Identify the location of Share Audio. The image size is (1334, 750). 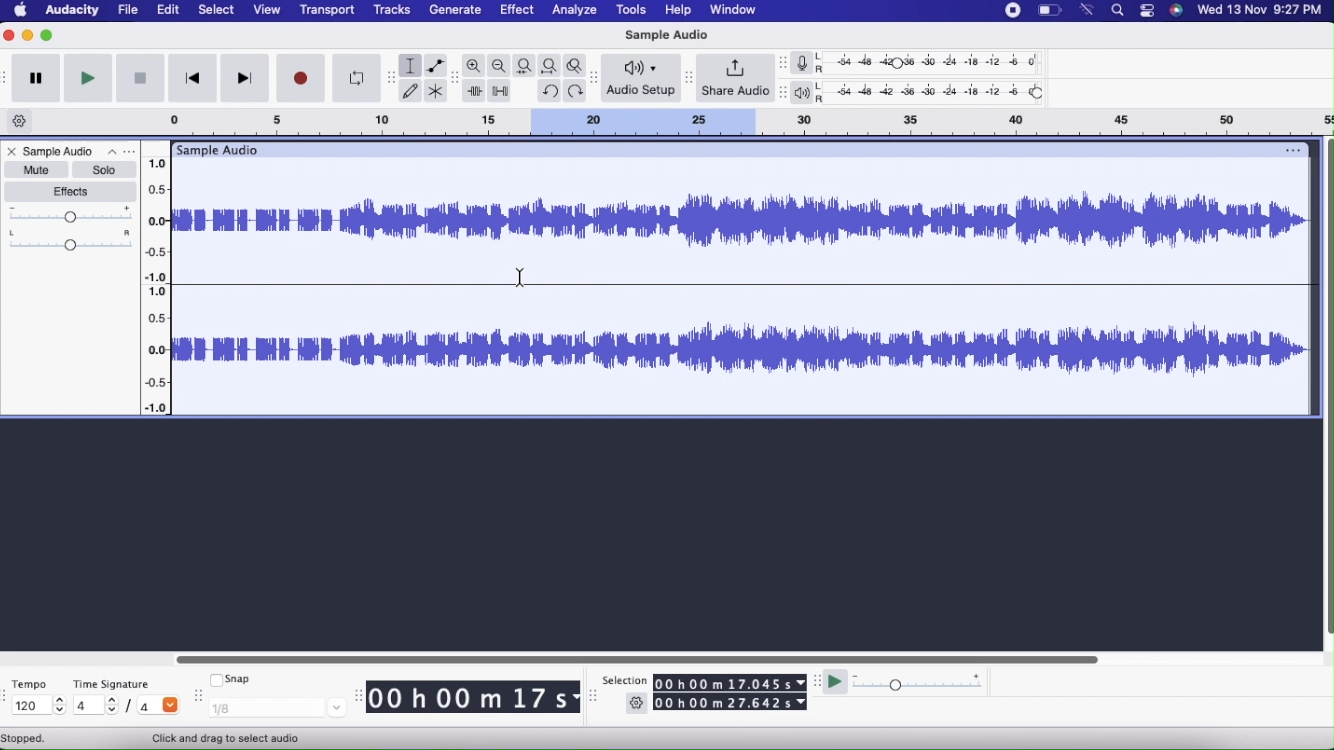
(735, 79).